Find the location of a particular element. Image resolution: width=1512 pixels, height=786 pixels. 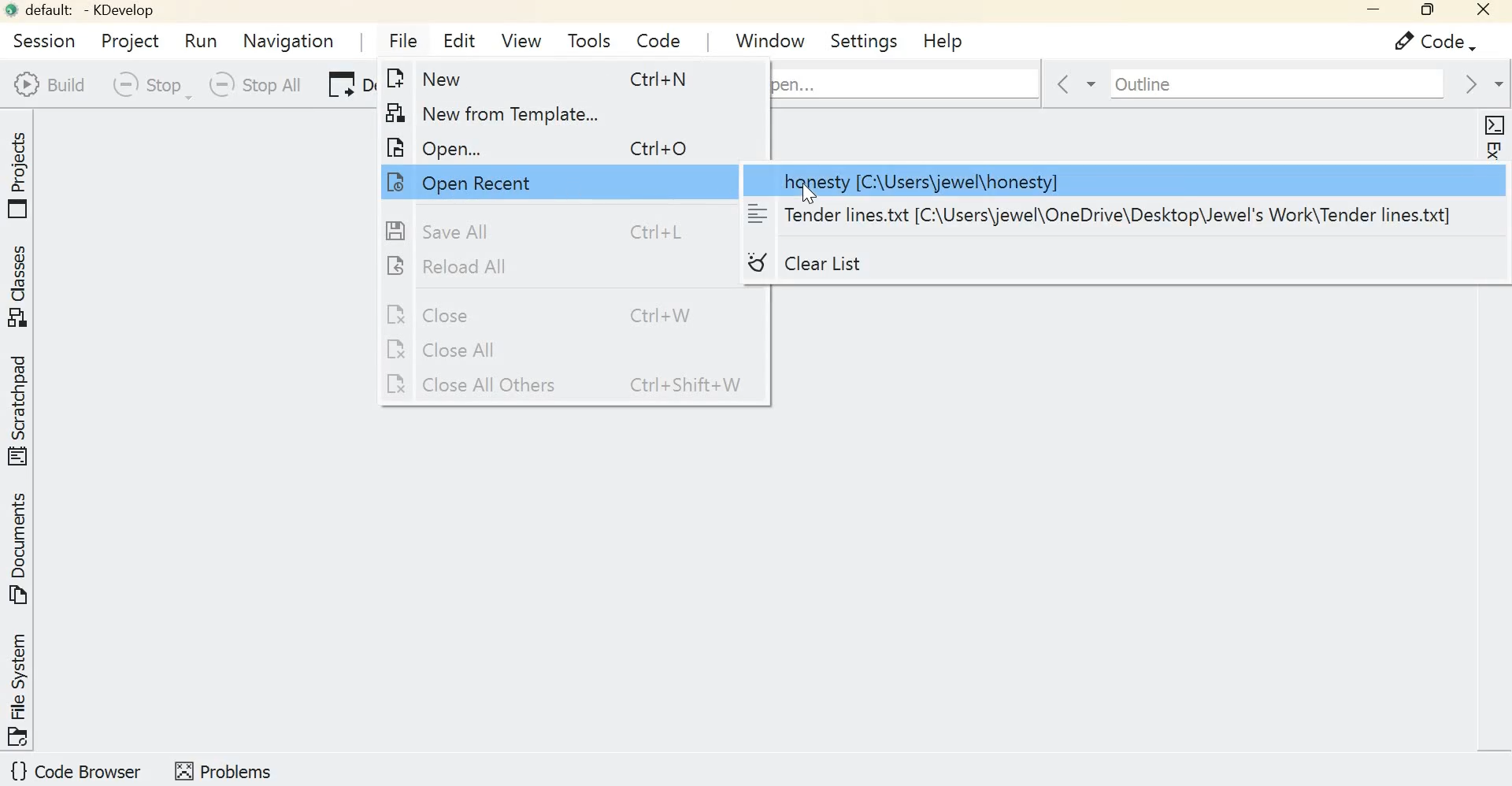

Minimize is located at coordinates (1368, 12).